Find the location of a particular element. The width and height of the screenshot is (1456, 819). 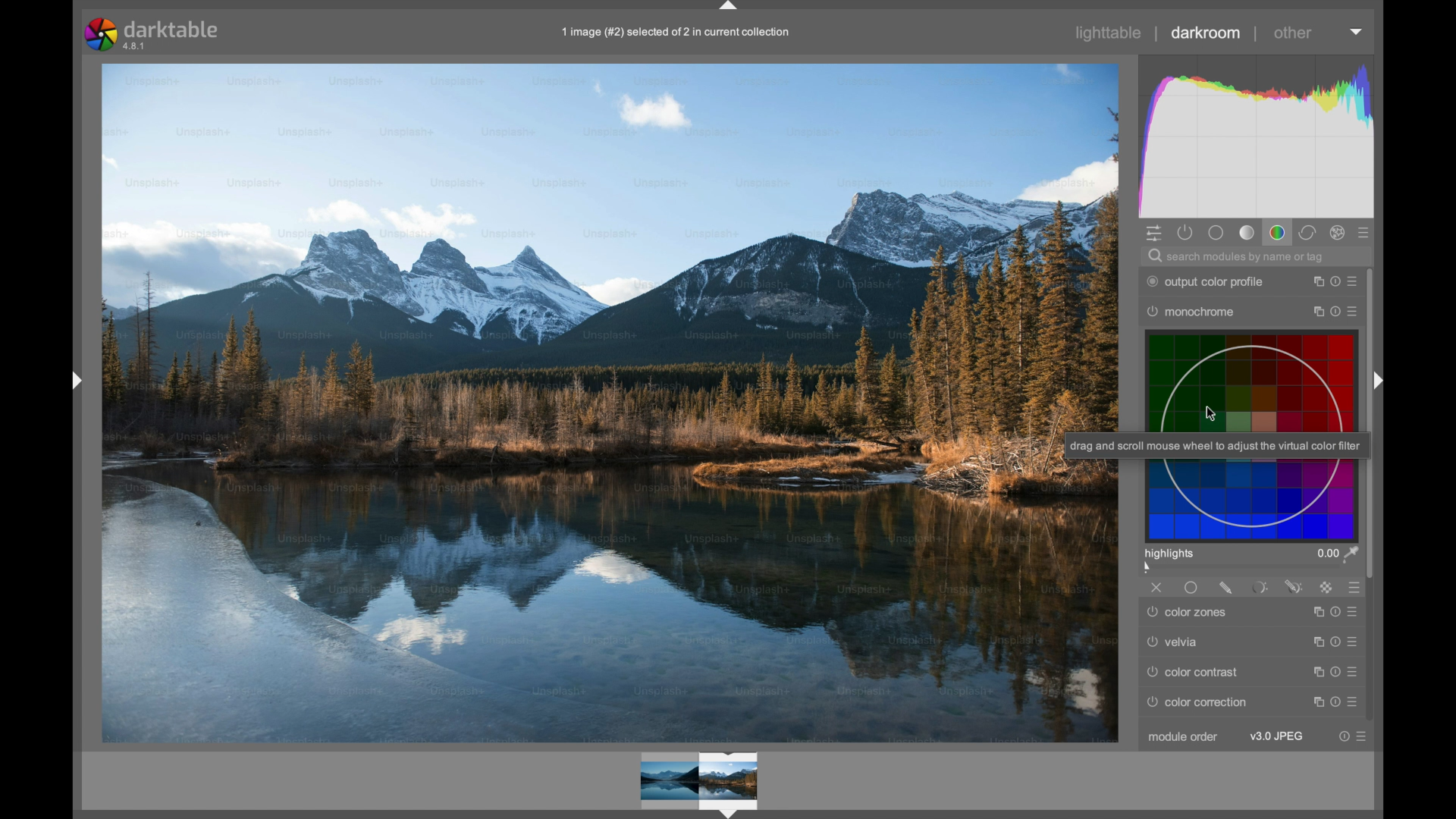

color correction is located at coordinates (1197, 702).